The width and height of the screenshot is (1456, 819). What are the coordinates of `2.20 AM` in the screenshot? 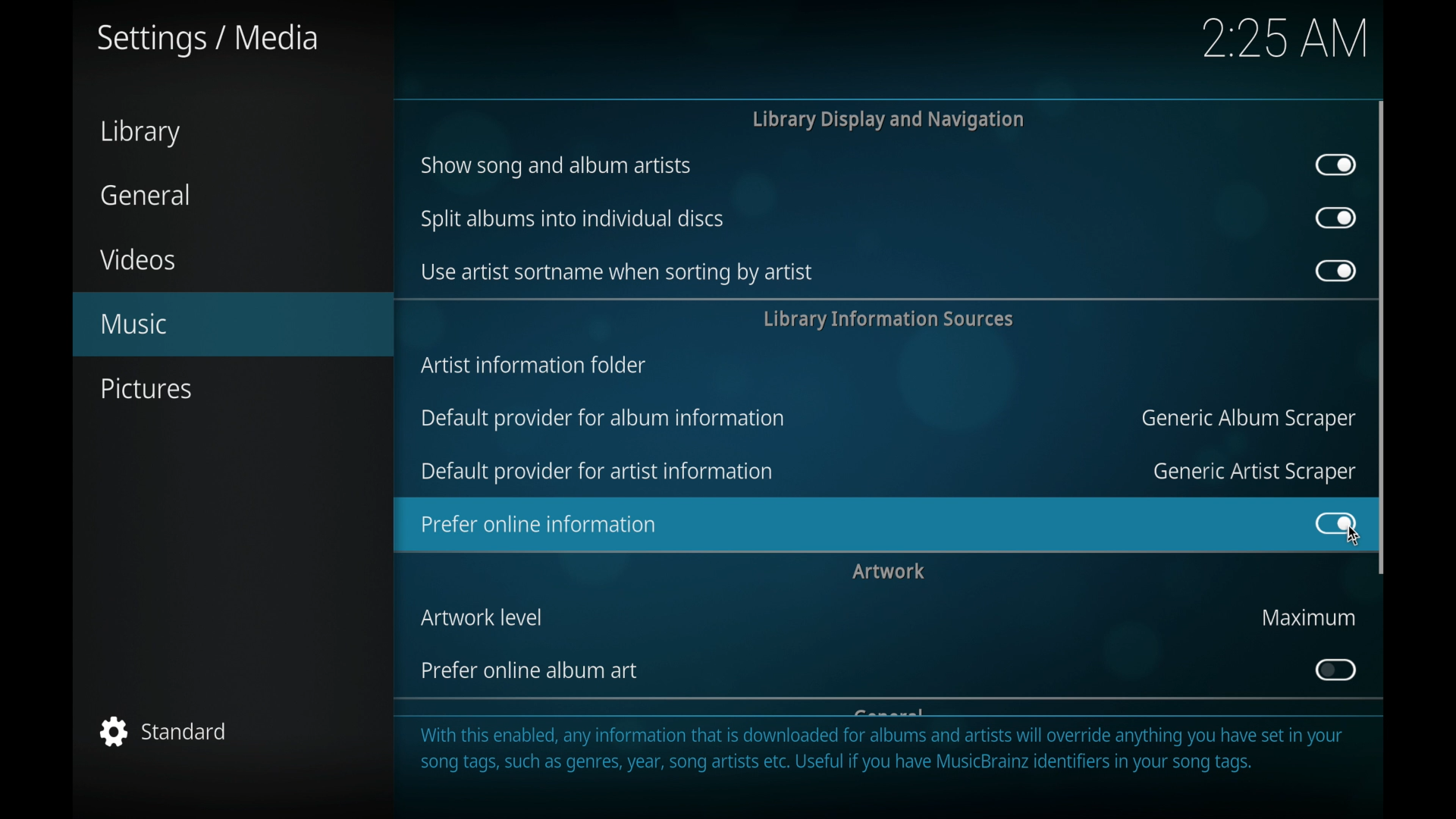 It's located at (1278, 43).